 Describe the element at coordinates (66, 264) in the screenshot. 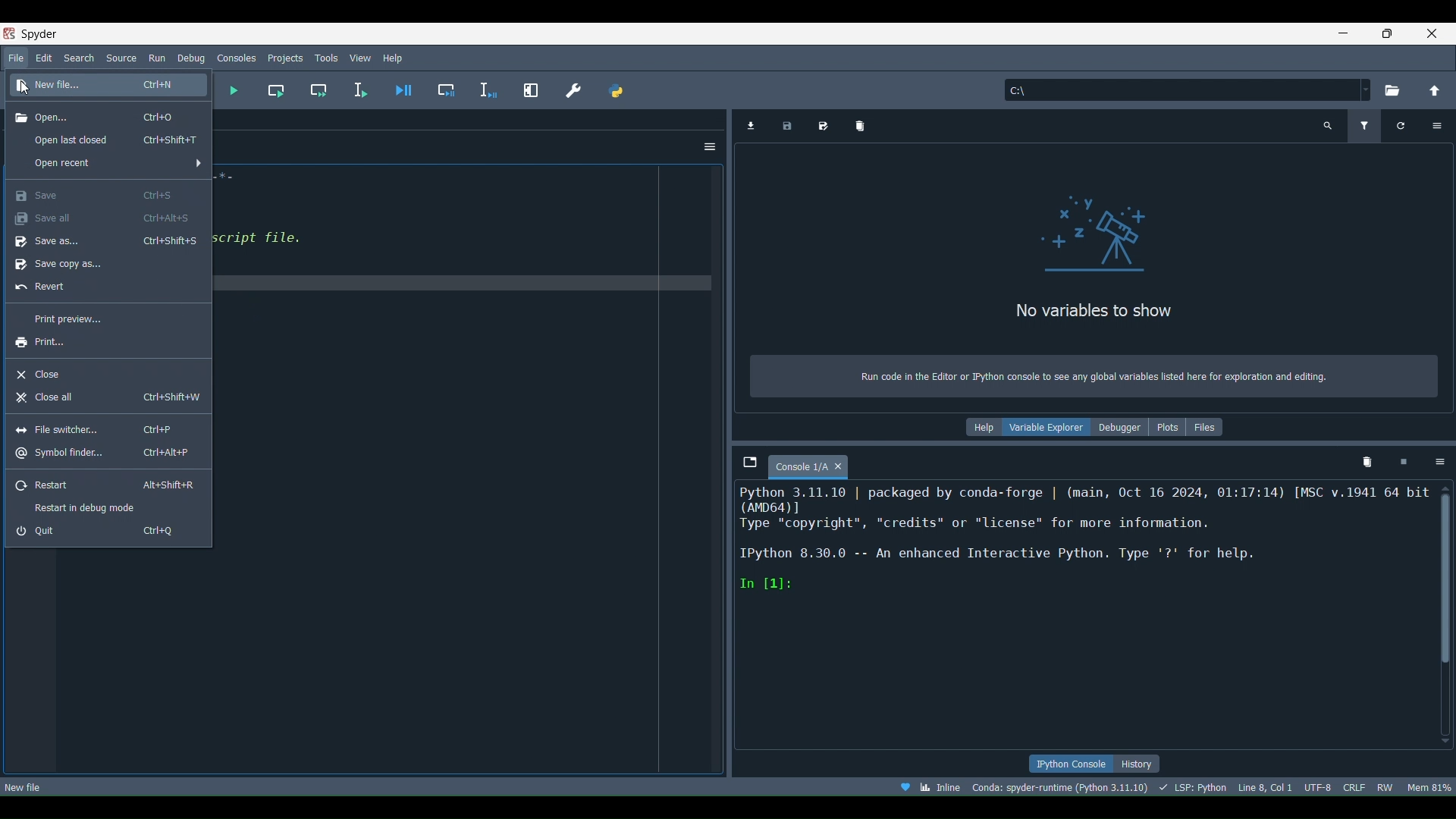

I see `Save copy as` at that location.